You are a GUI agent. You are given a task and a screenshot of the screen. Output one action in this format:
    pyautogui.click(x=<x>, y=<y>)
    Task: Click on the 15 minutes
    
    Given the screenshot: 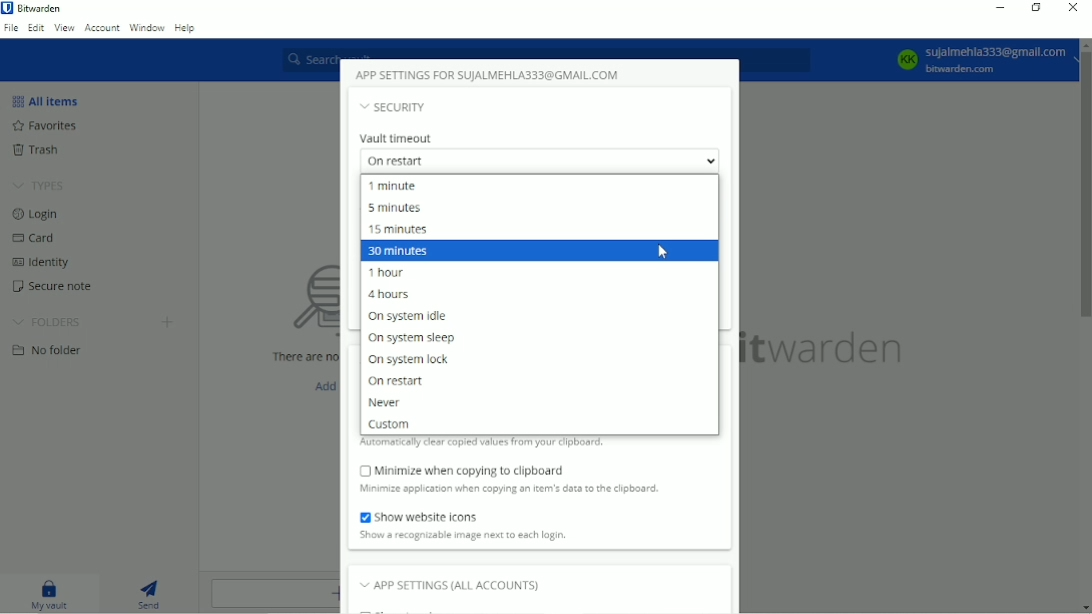 What is the action you would take?
    pyautogui.click(x=404, y=229)
    